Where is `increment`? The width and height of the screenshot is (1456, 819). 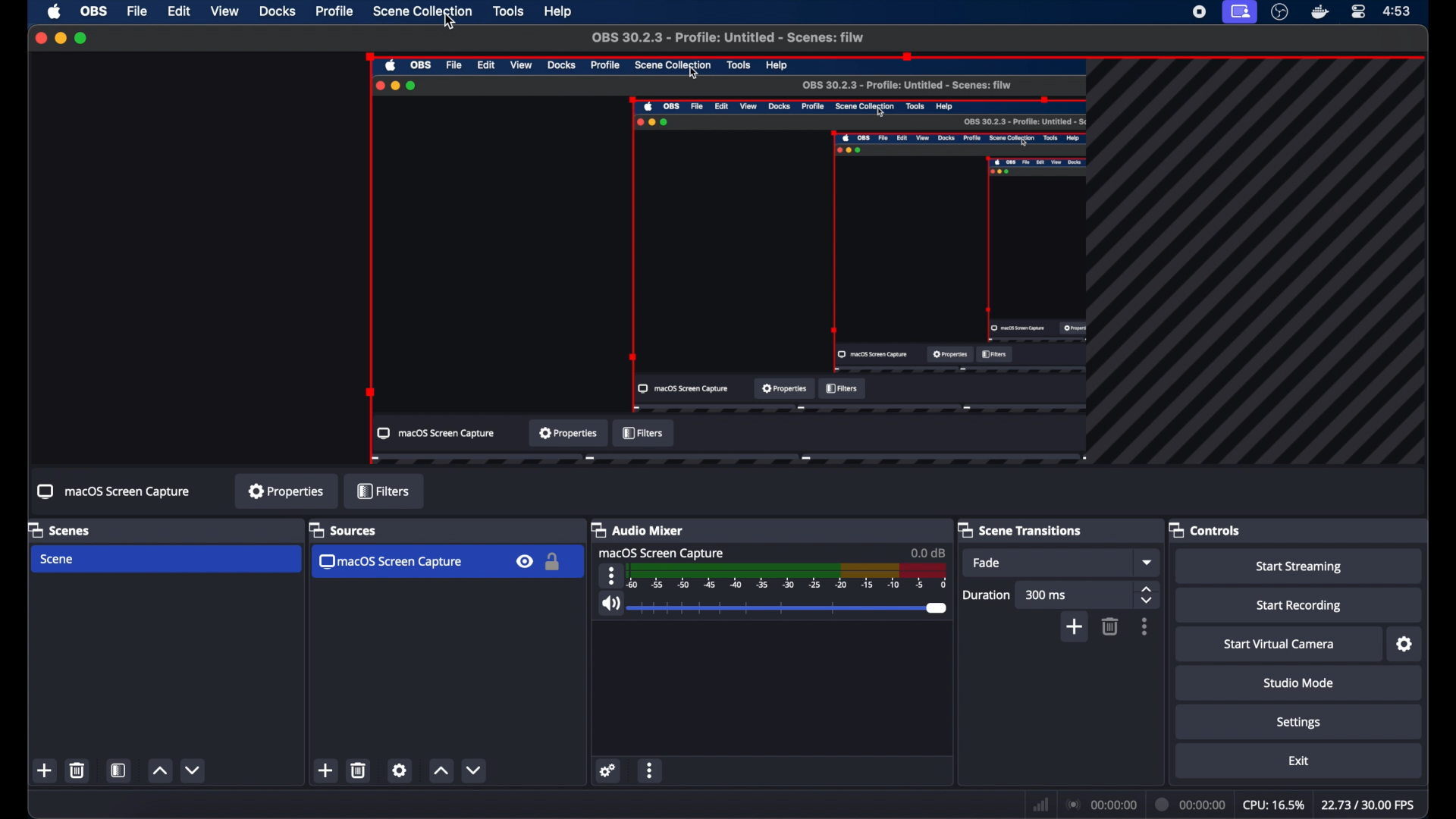
increment is located at coordinates (441, 771).